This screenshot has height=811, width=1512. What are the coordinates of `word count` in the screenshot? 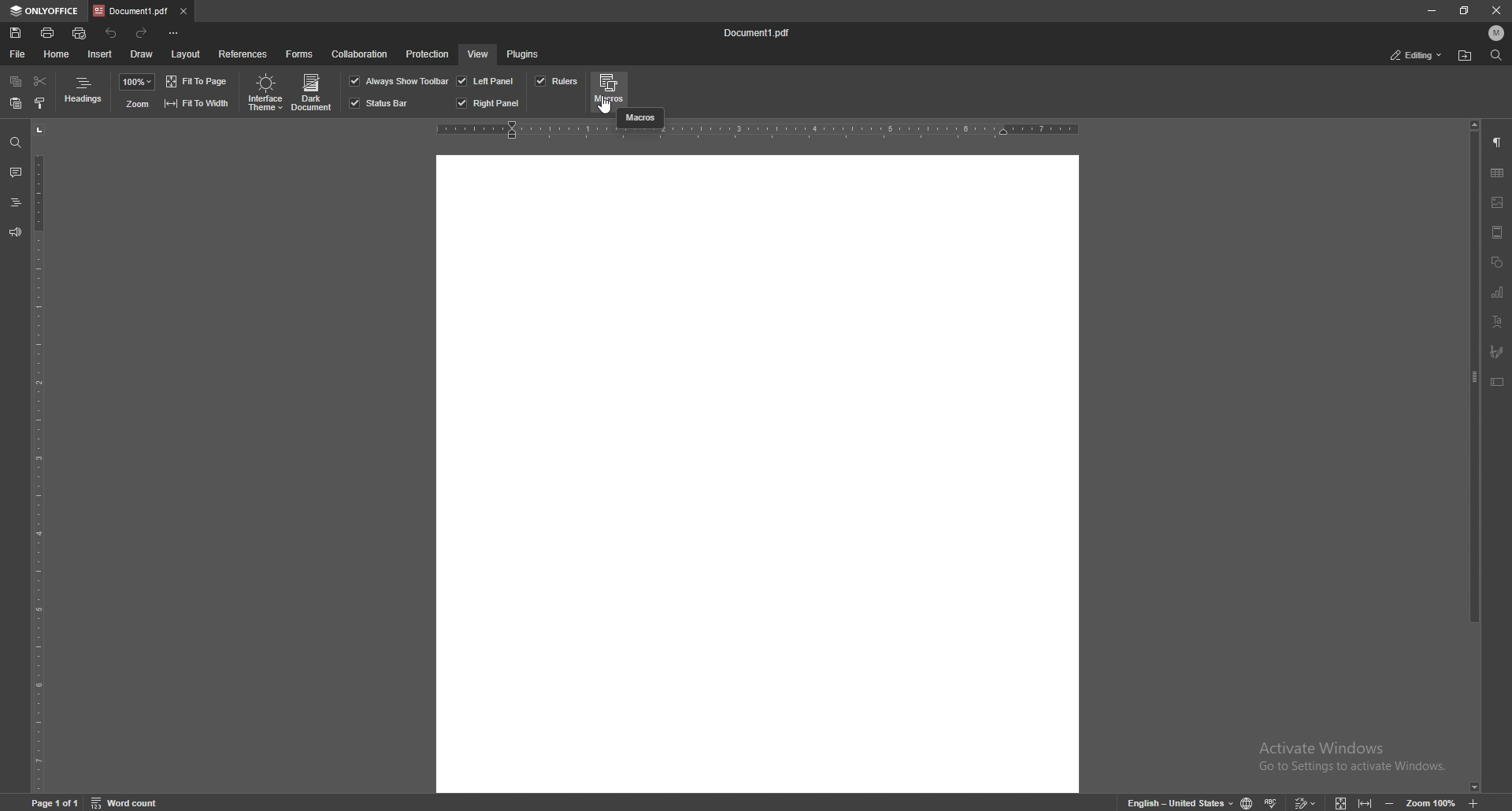 It's located at (132, 802).